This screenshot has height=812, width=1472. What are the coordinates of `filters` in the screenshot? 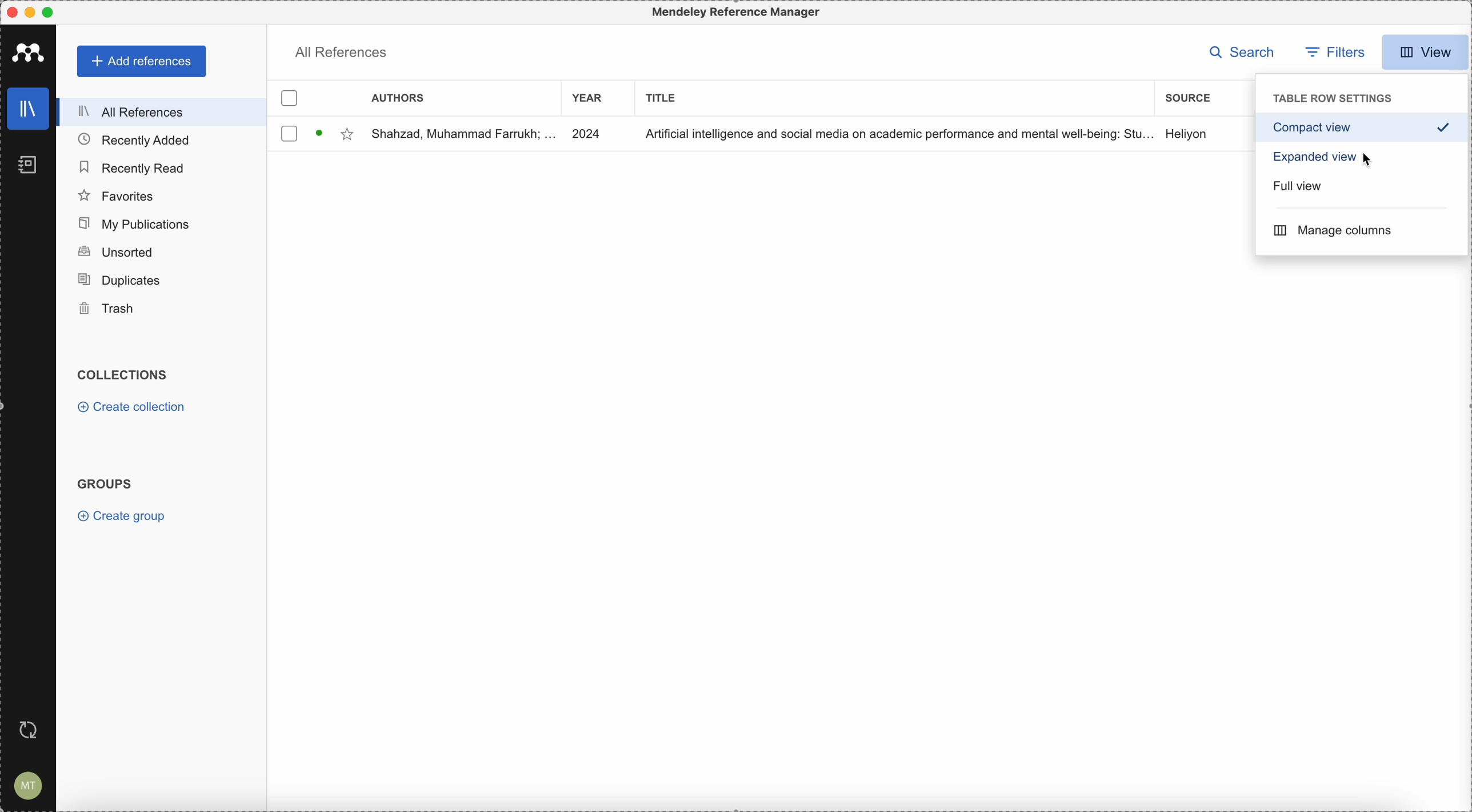 It's located at (1337, 52).